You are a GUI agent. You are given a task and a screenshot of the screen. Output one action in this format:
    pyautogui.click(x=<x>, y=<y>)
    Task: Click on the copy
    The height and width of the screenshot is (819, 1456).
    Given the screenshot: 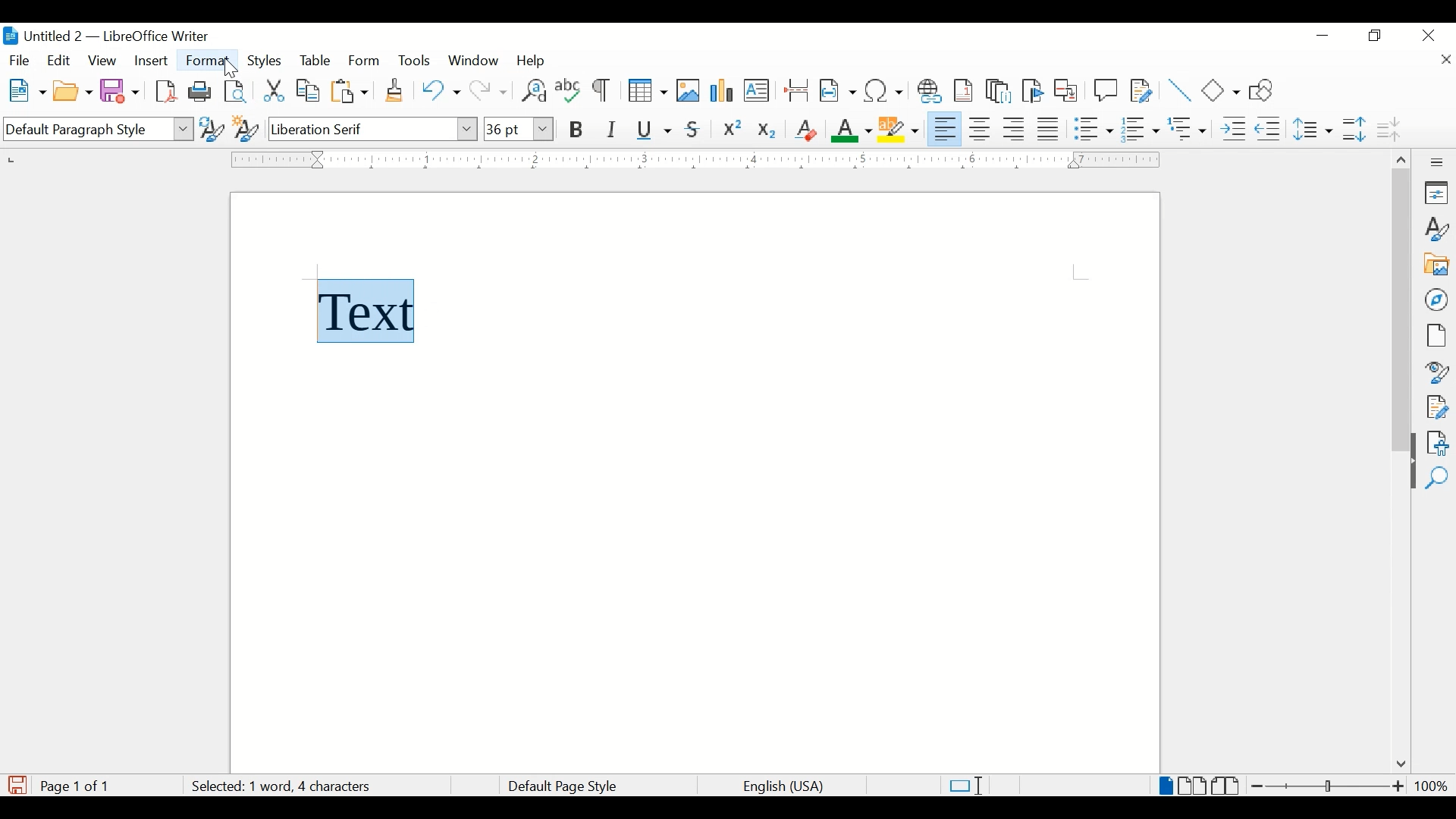 What is the action you would take?
    pyautogui.click(x=309, y=91)
    